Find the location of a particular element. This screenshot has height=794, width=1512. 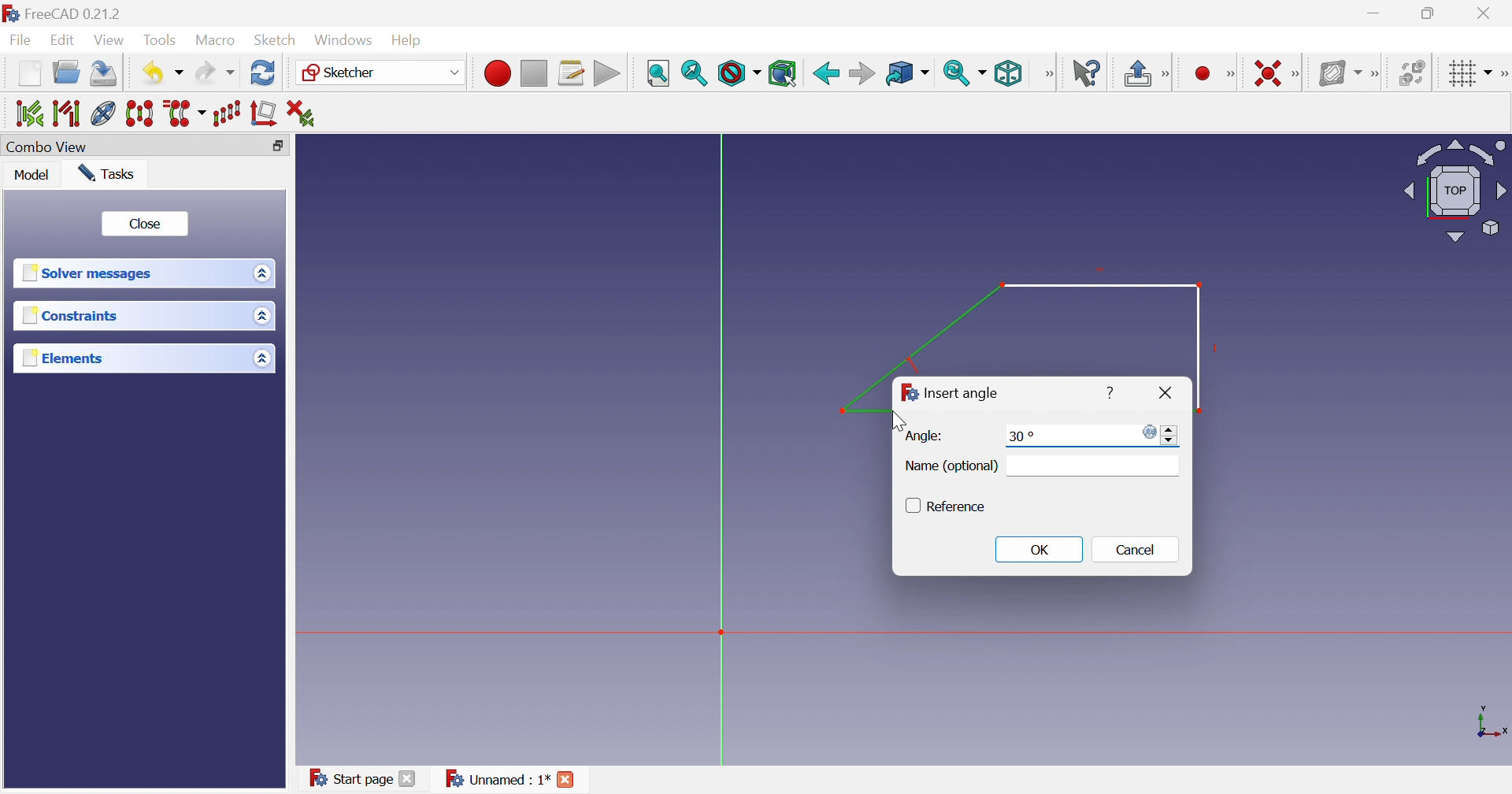

Drop Down is located at coordinates (928, 73).